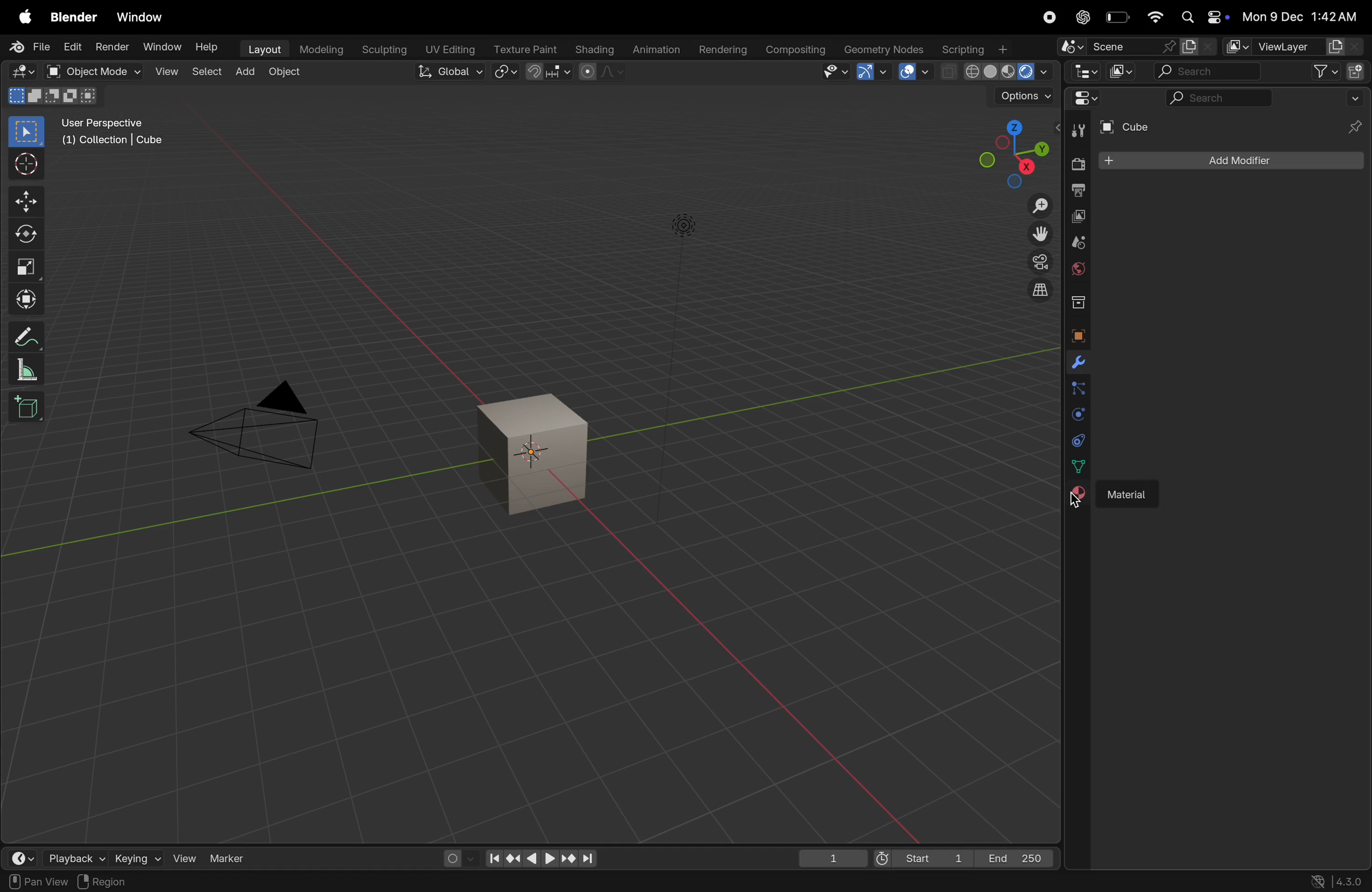 Image resolution: width=1372 pixels, height=892 pixels. What do you see at coordinates (1208, 71) in the screenshot?
I see `search` at bounding box center [1208, 71].